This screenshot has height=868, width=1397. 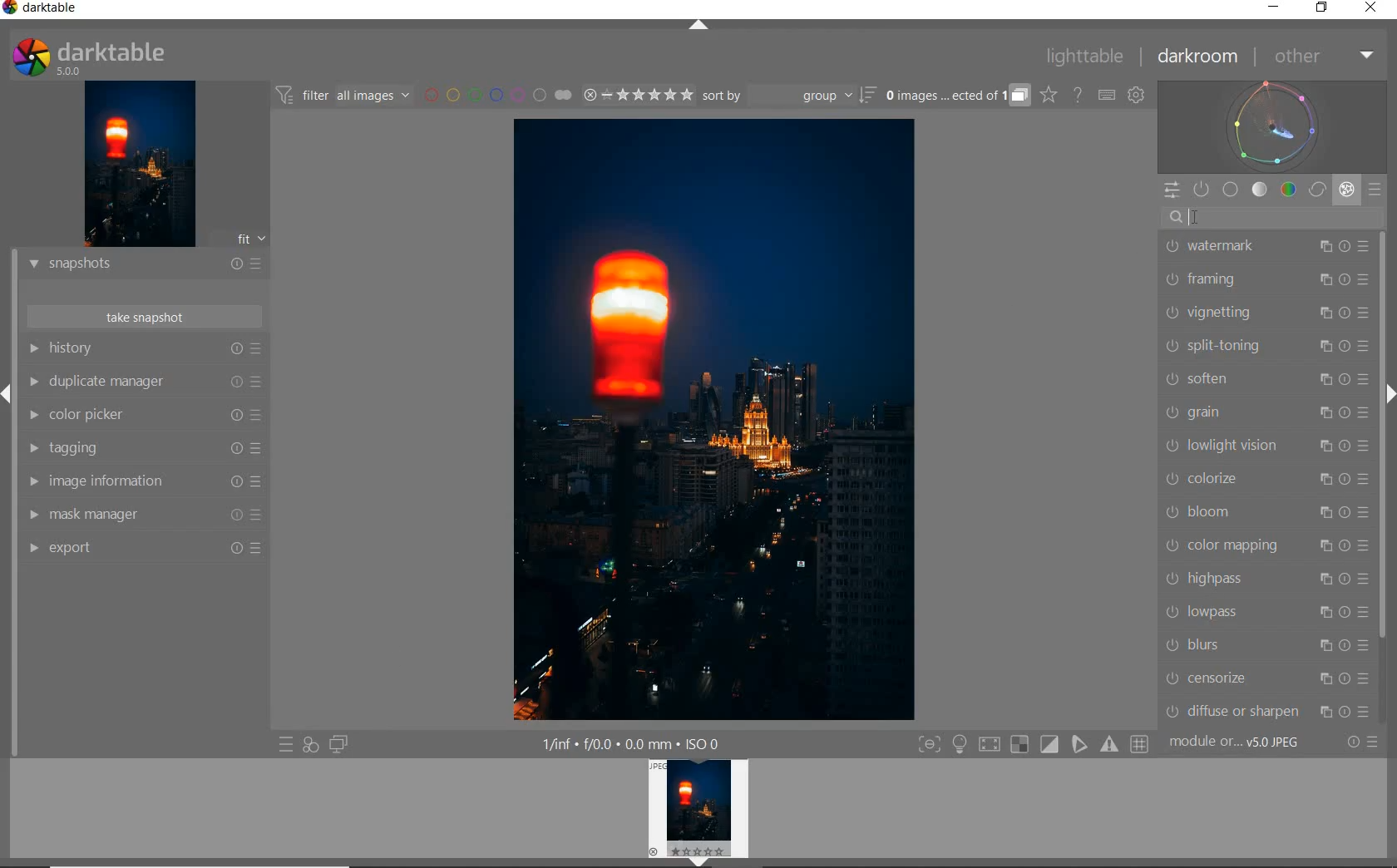 What do you see at coordinates (1345, 579) in the screenshot?
I see `Reset` at bounding box center [1345, 579].